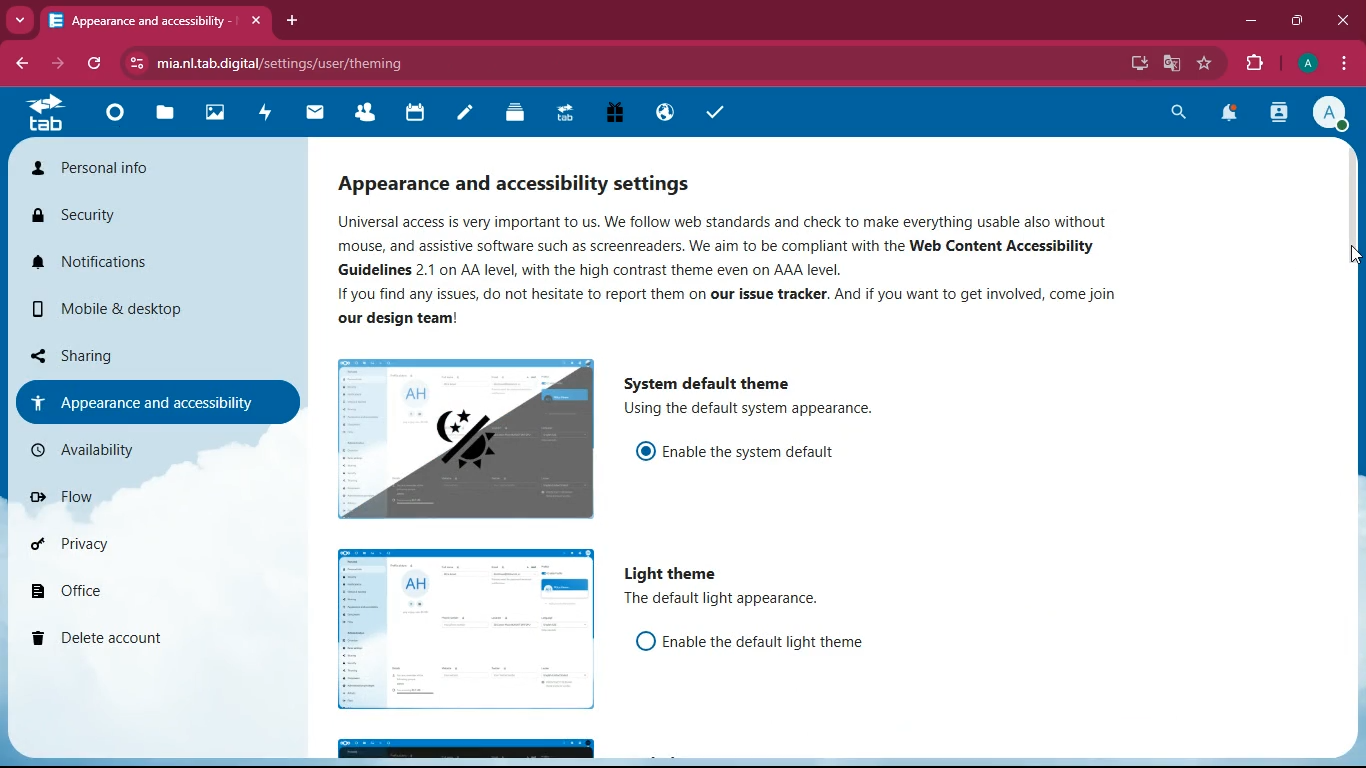 The height and width of the screenshot is (768, 1366). Describe the element at coordinates (220, 113) in the screenshot. I see `images` at that location.